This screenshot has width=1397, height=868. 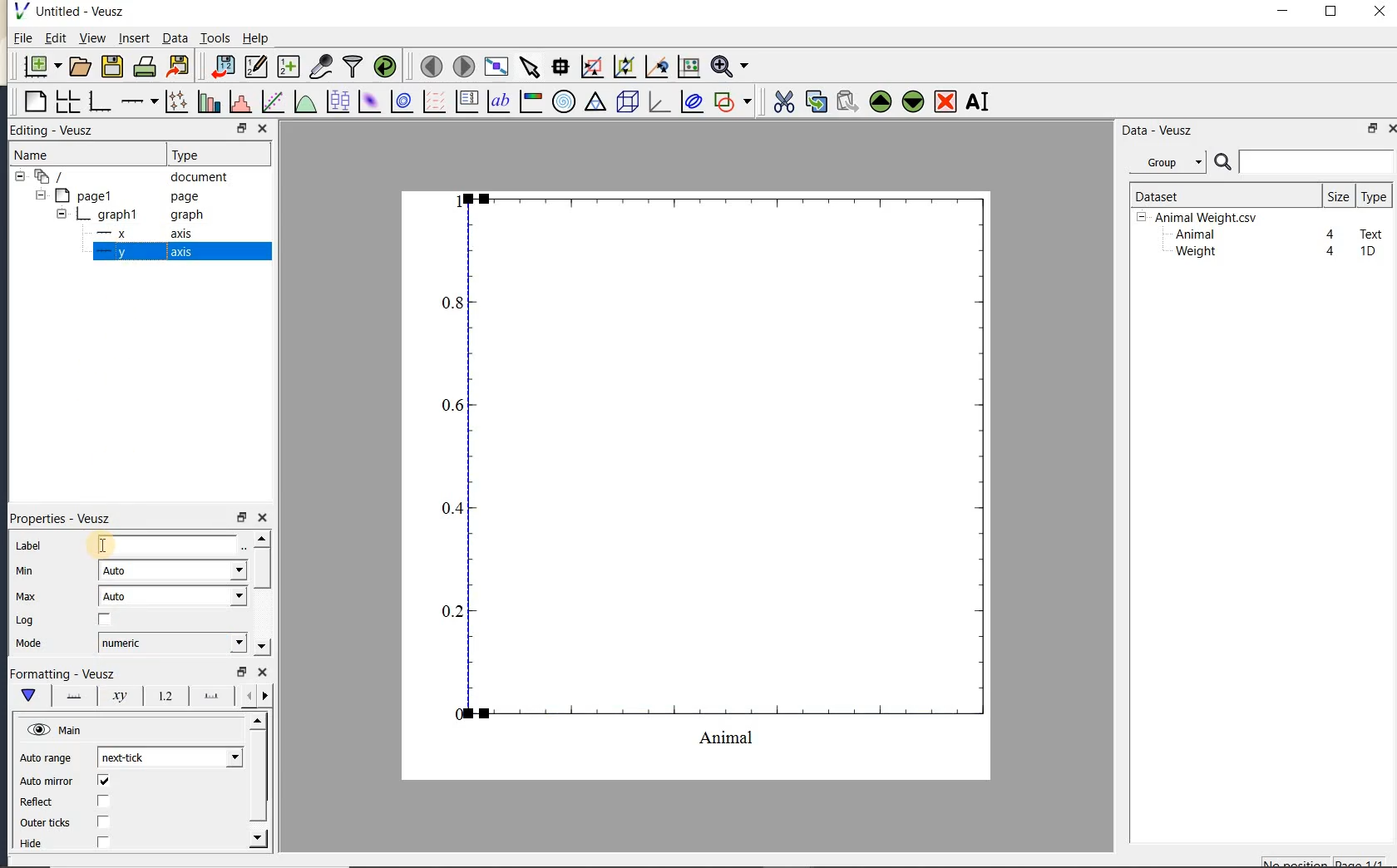 I want to click on page1, so click(x=119, y=197).